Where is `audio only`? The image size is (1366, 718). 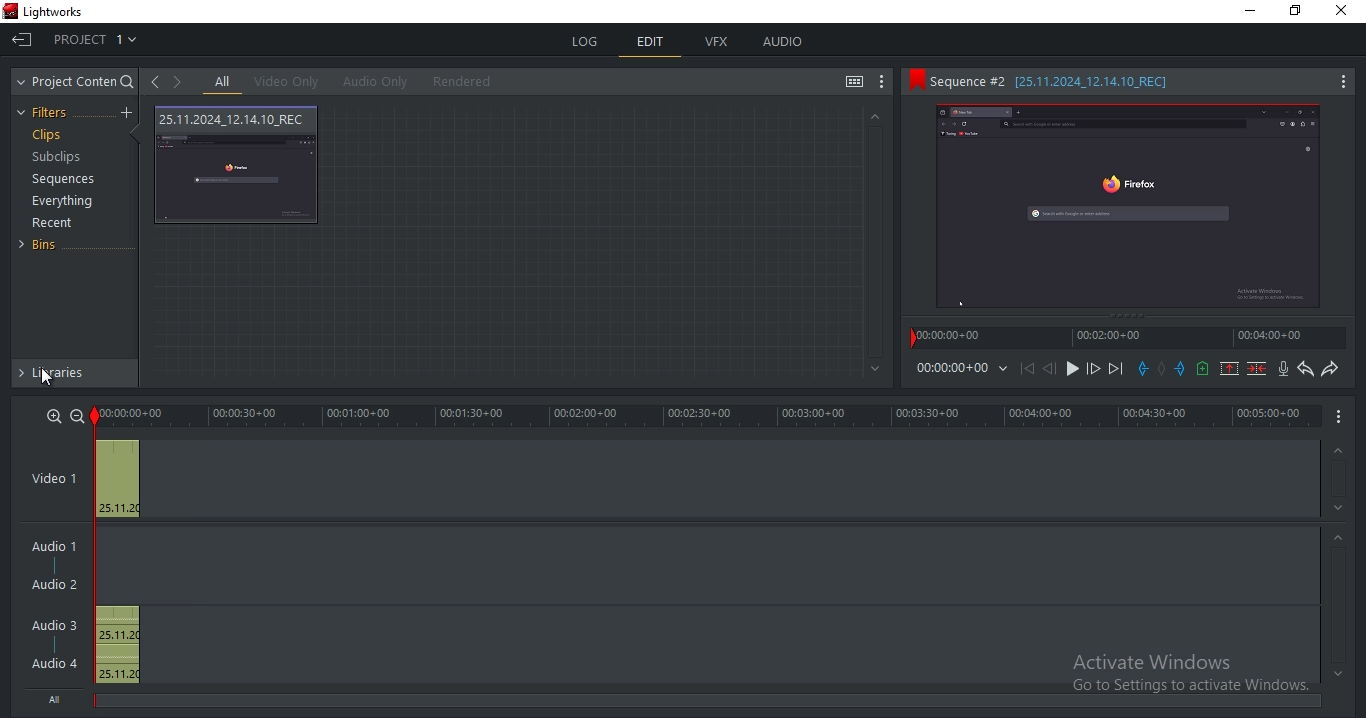
audio only is located at coordinates (377, 81).